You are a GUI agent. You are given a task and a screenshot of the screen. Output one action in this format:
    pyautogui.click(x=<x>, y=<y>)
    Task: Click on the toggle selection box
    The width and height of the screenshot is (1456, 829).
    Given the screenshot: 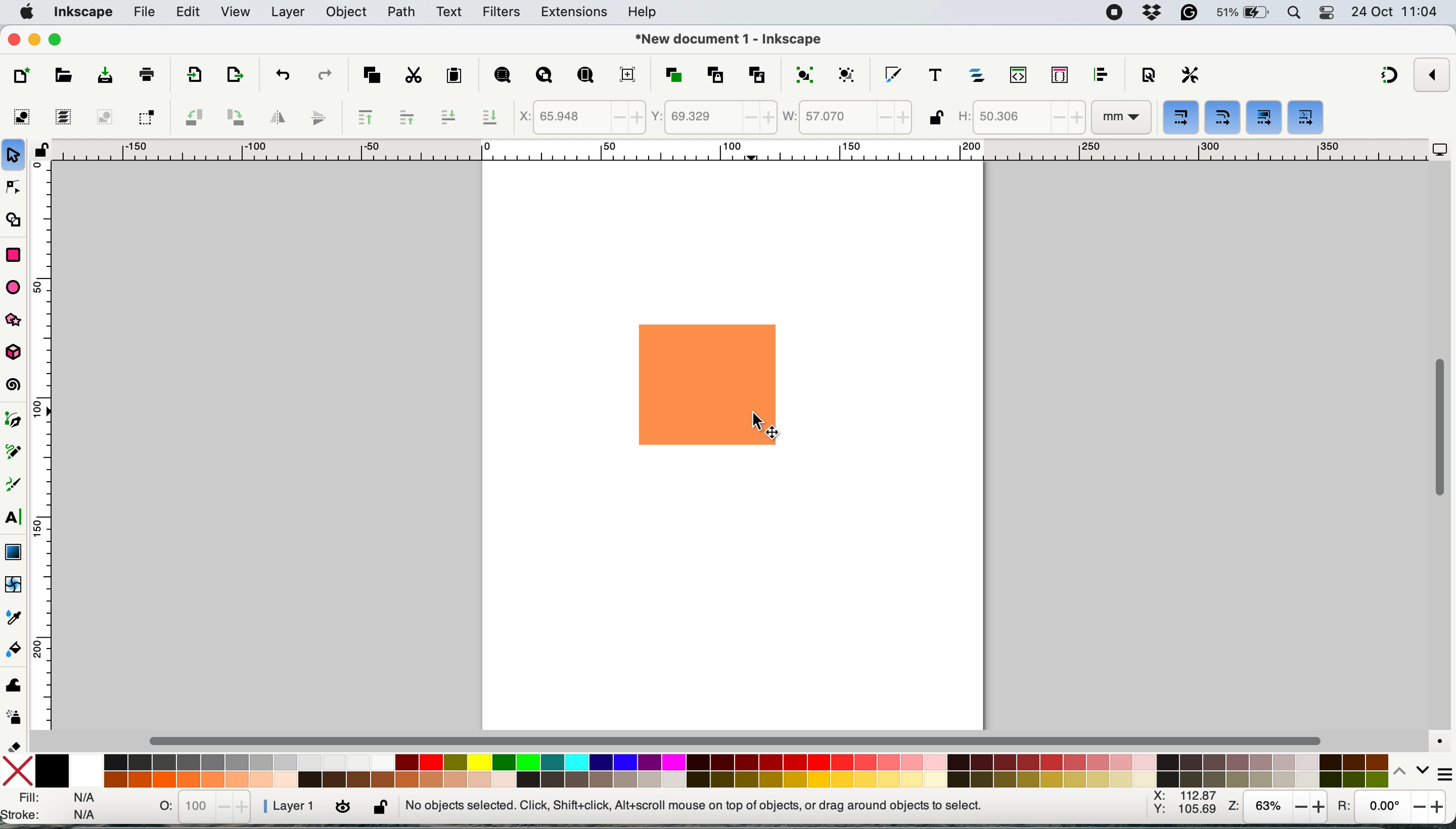 What is the action you would take?
    pyautogui.click(x=146, y=116)
    